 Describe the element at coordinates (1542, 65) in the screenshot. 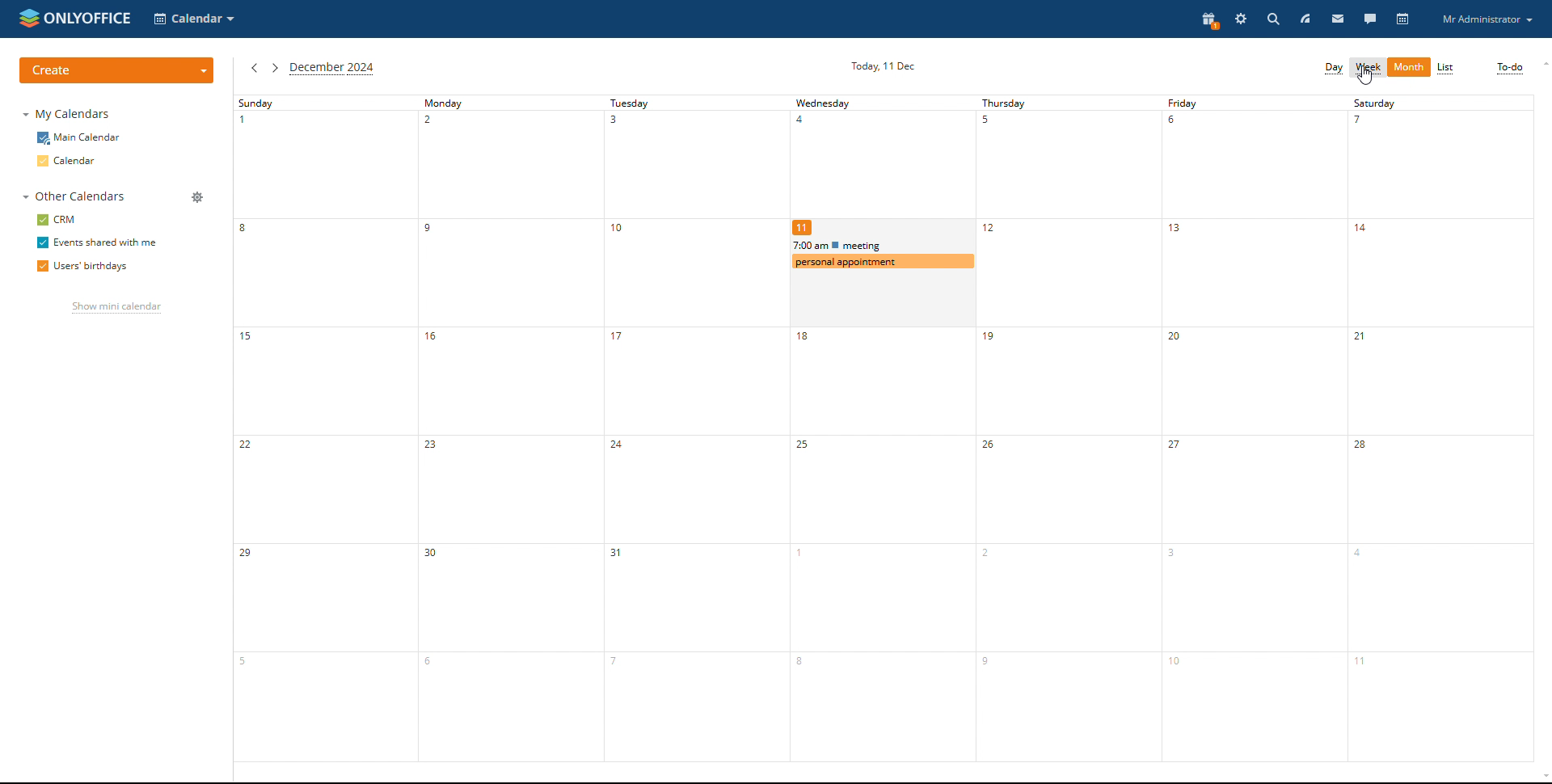

I see `scroll up` at that location.